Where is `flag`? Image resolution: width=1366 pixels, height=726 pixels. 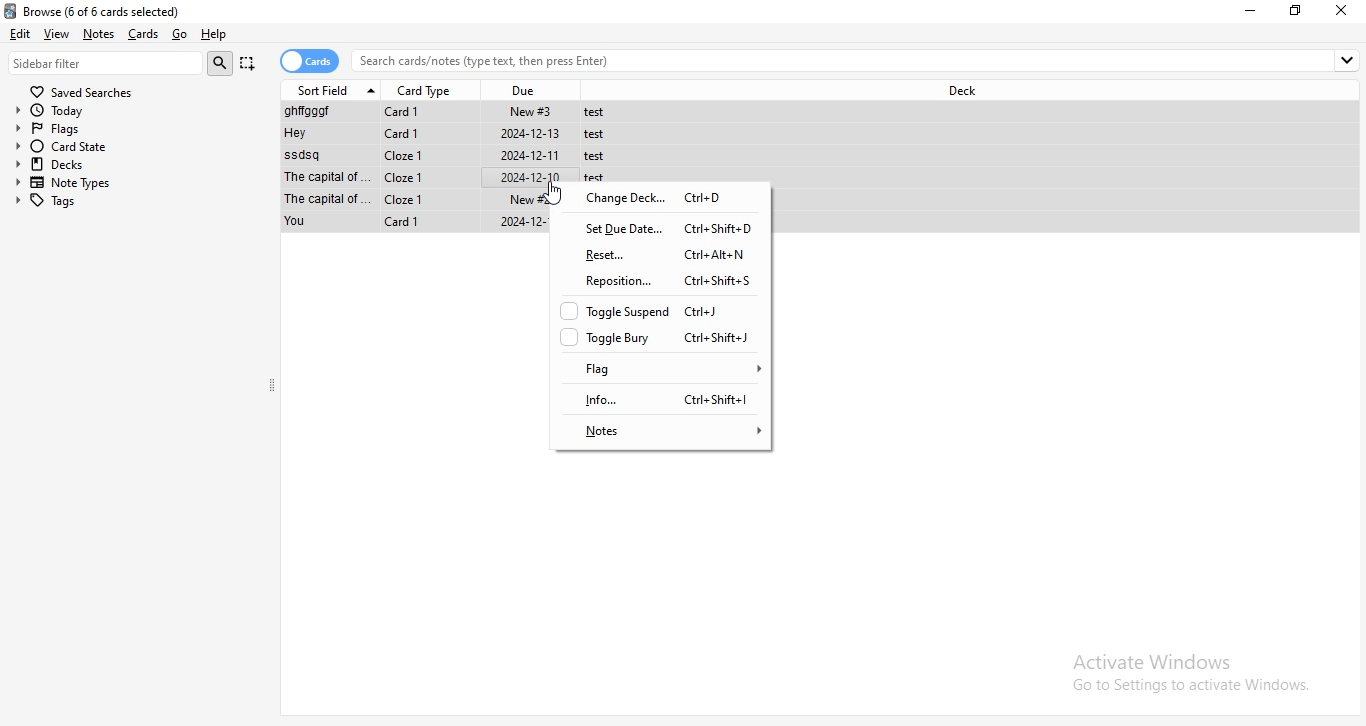 flag is located at coordinates (660, 370).